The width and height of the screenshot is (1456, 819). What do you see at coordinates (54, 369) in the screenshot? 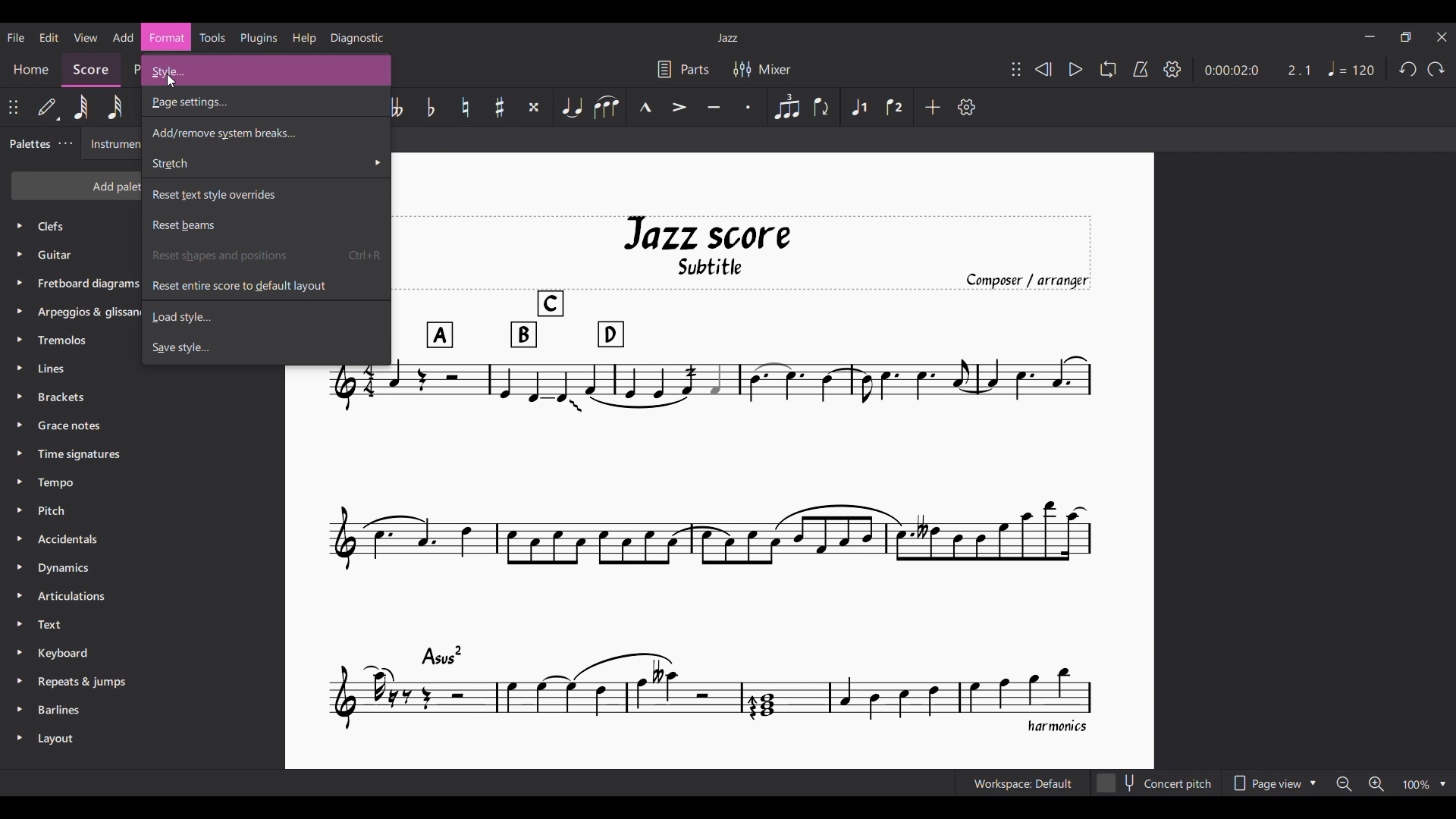
I see `Lines` at bounding box center [54, 369].